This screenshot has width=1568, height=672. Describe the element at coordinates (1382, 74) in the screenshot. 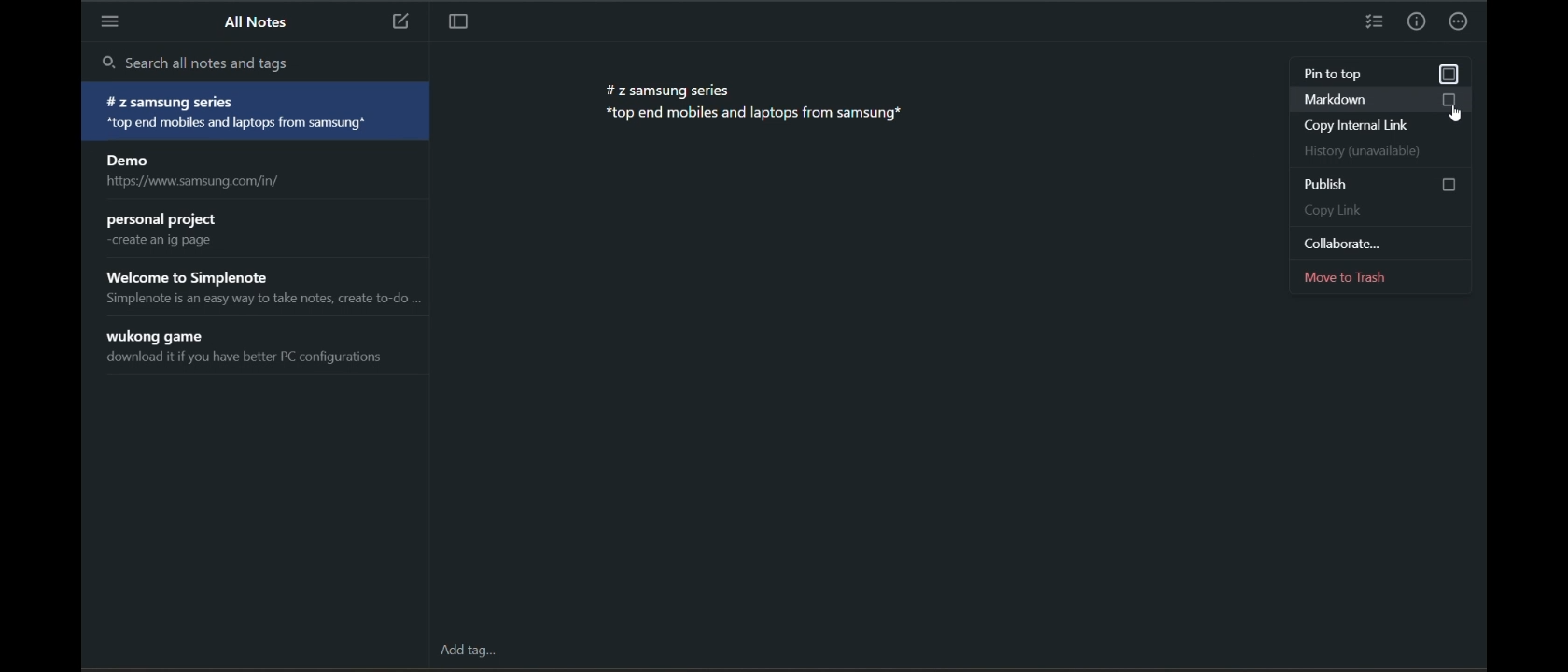

I see `pin to top` at that location.